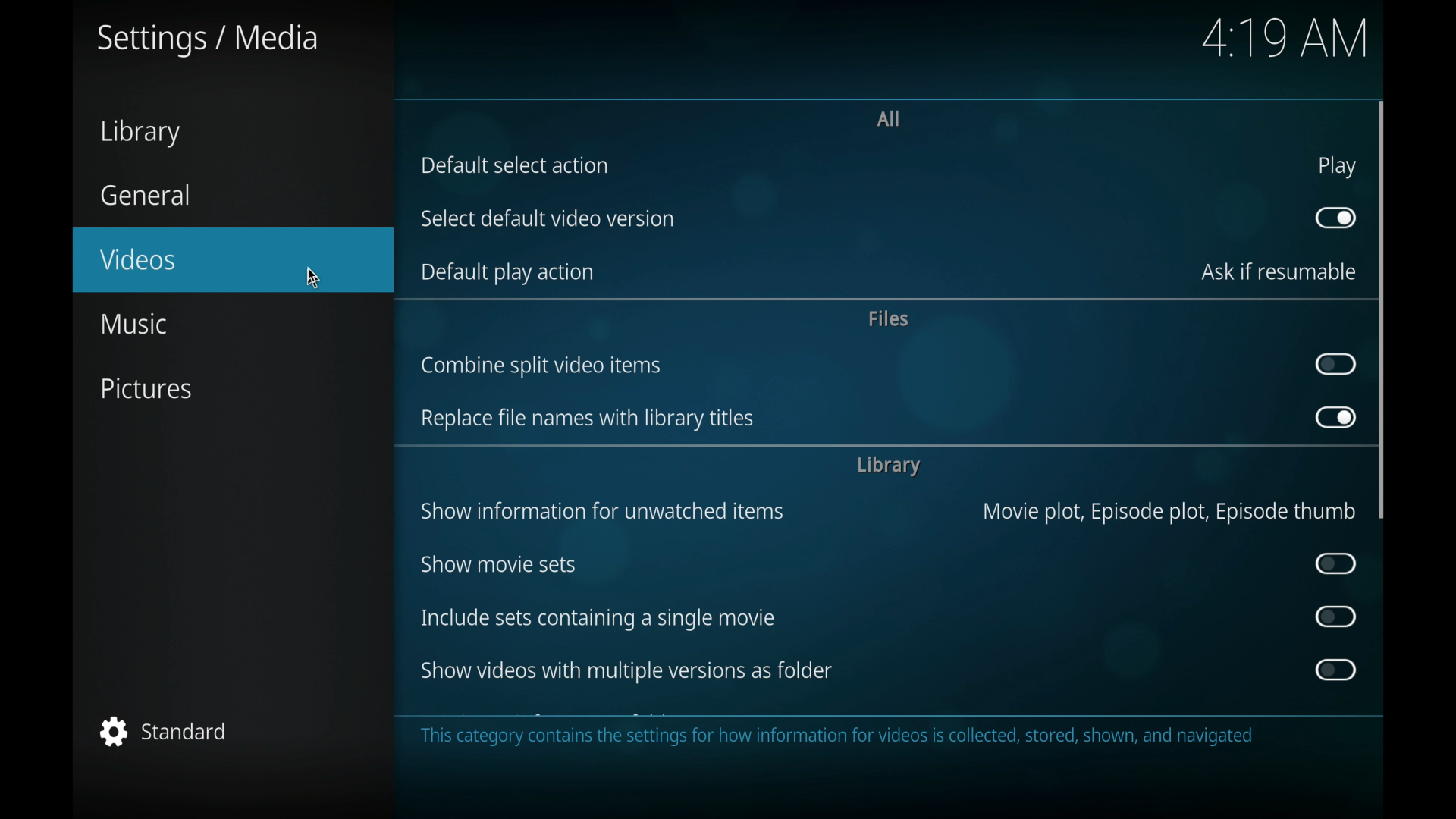  What do you see at coordinates (1288, 39) in the screenshot?
I see `time` at bounding box center [1288, 39].